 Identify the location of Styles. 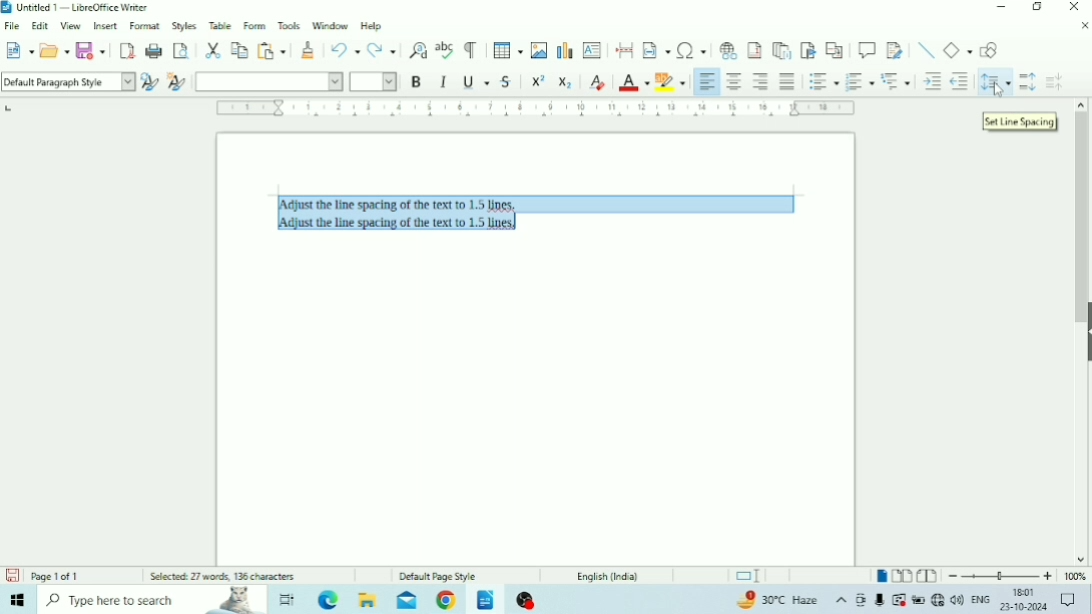
(184, 25).